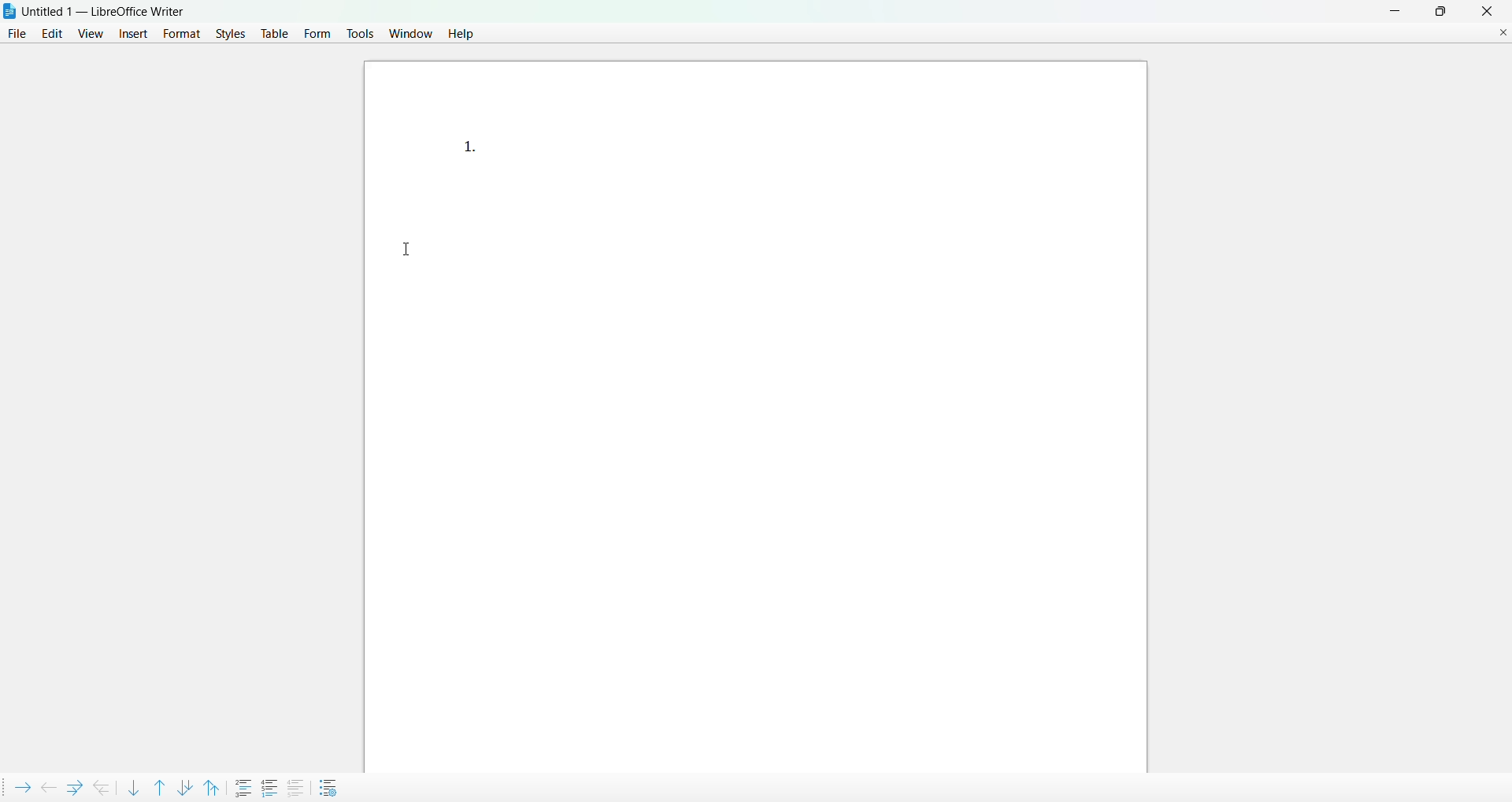 The height and width of the screenshot is (802, 1512). What do you see at coordinates (158, 785) in the screenshot?
I see `move item up` at bounding box center [158, 785].